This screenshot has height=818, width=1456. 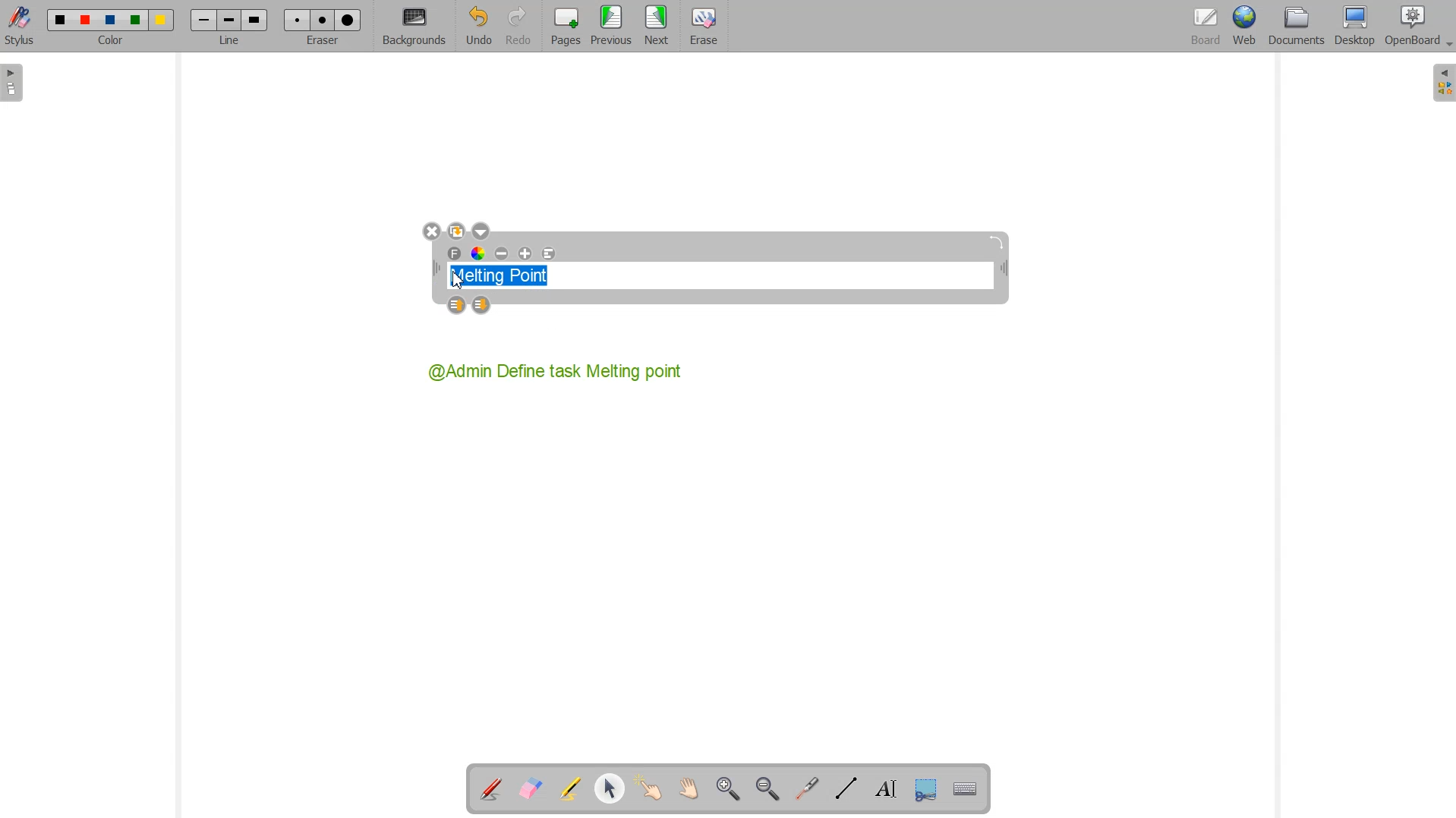 What do you see at coordinates (530, 789) in the screenshot?
I see `Erase Annotation` at bounding box center [530, 789].